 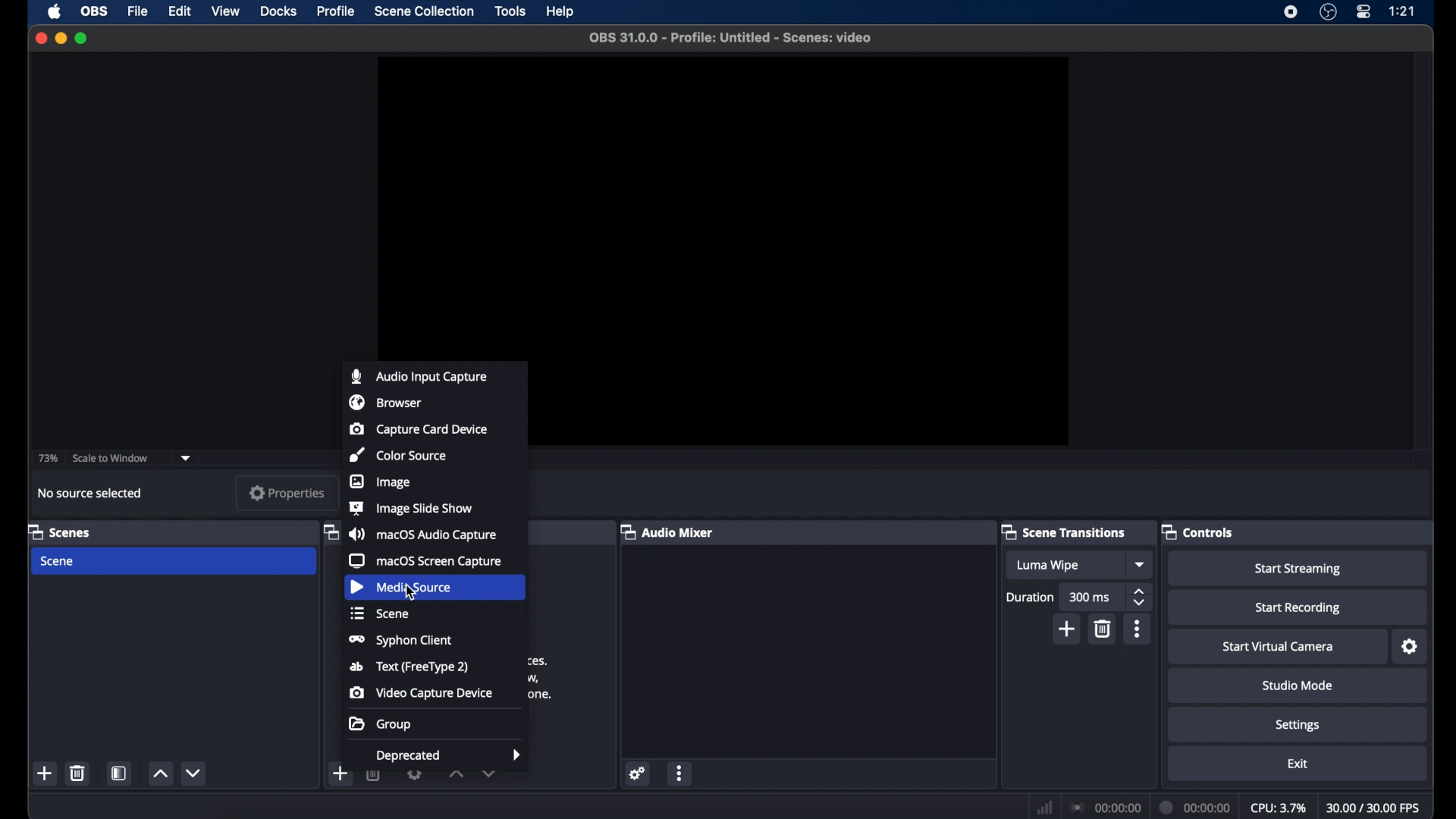 I want to click on info, so click(x=538, y=678).